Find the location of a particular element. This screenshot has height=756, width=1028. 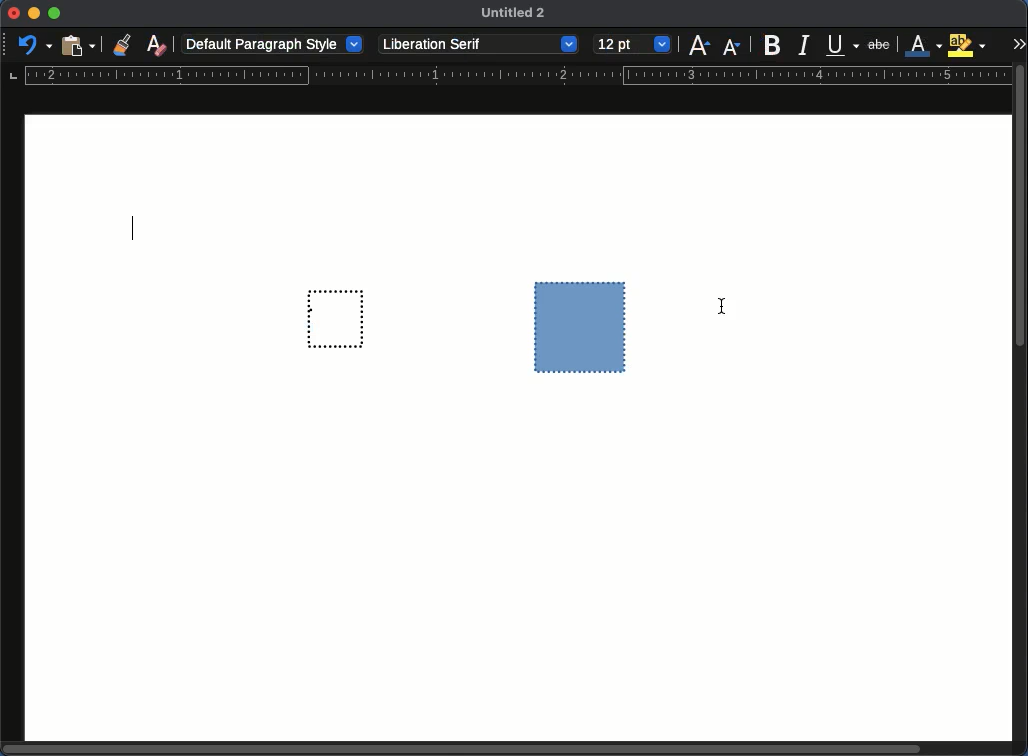

default paragraph style is located at coordinates (275, 43).